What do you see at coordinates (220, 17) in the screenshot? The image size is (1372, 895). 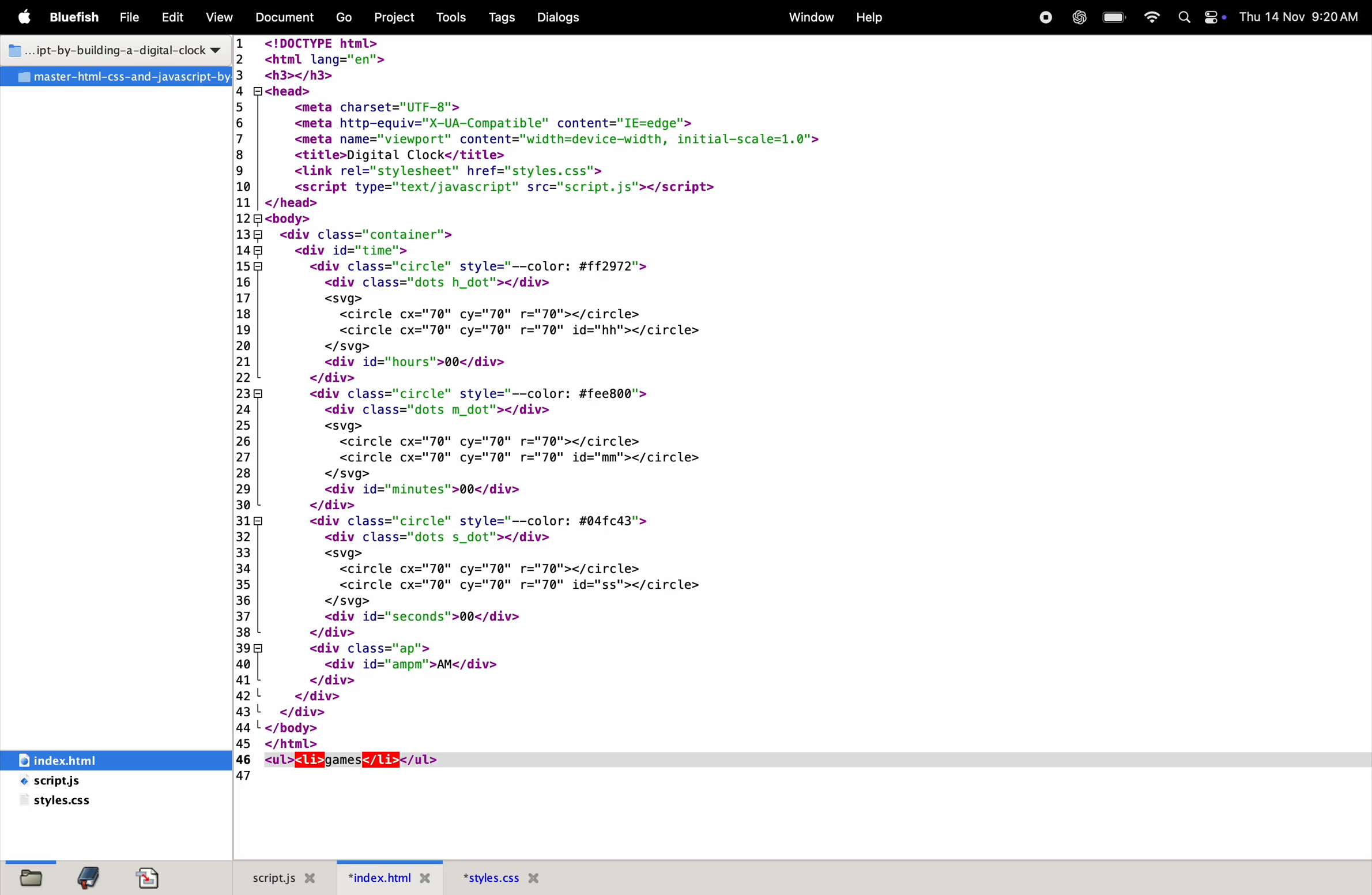 I see `View` at bounding box center [220, 17].